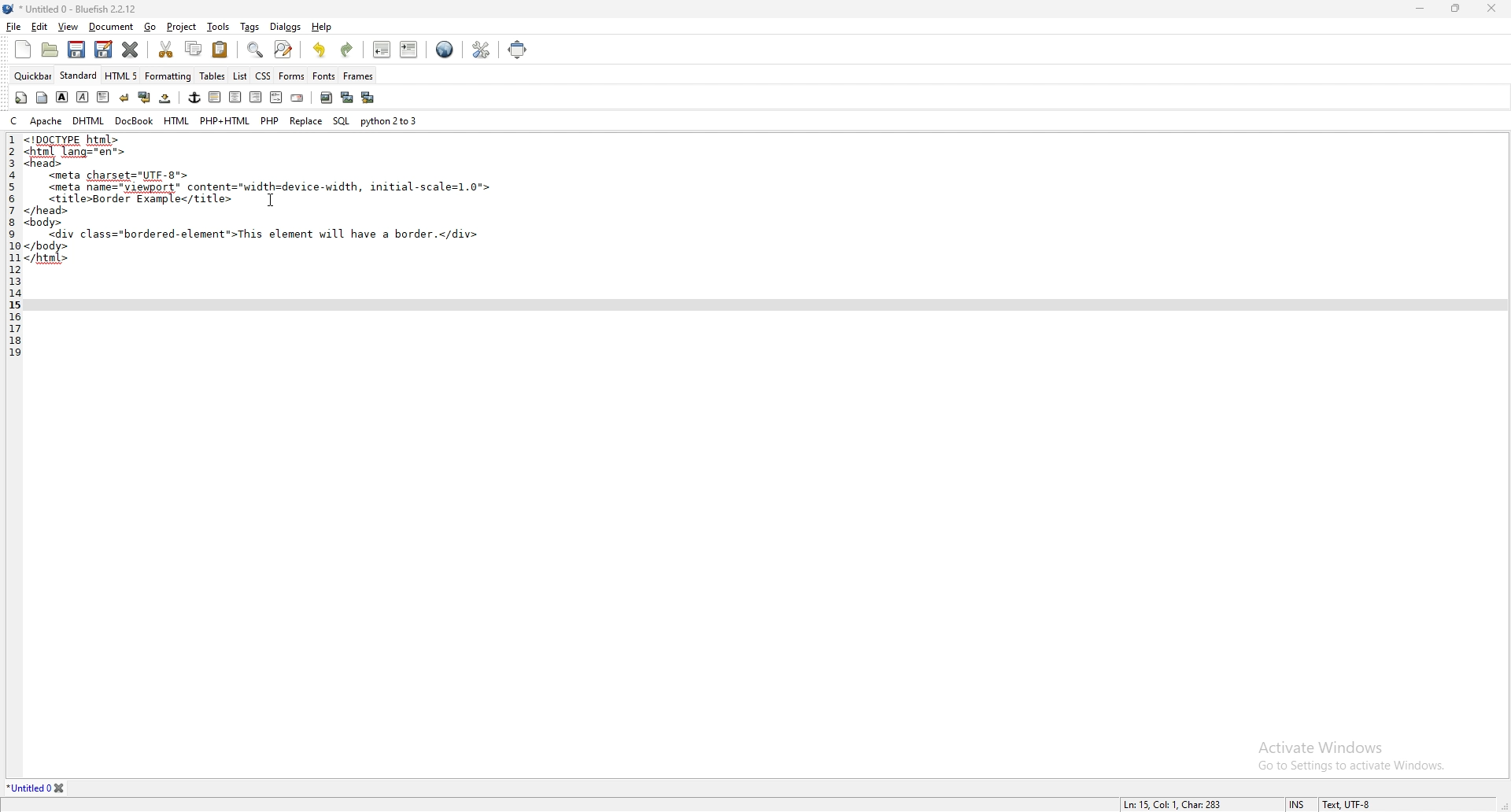 Image resolution: width=1511 pixels, height=812 pixels. I want to click on insert image, so click(327, 98).